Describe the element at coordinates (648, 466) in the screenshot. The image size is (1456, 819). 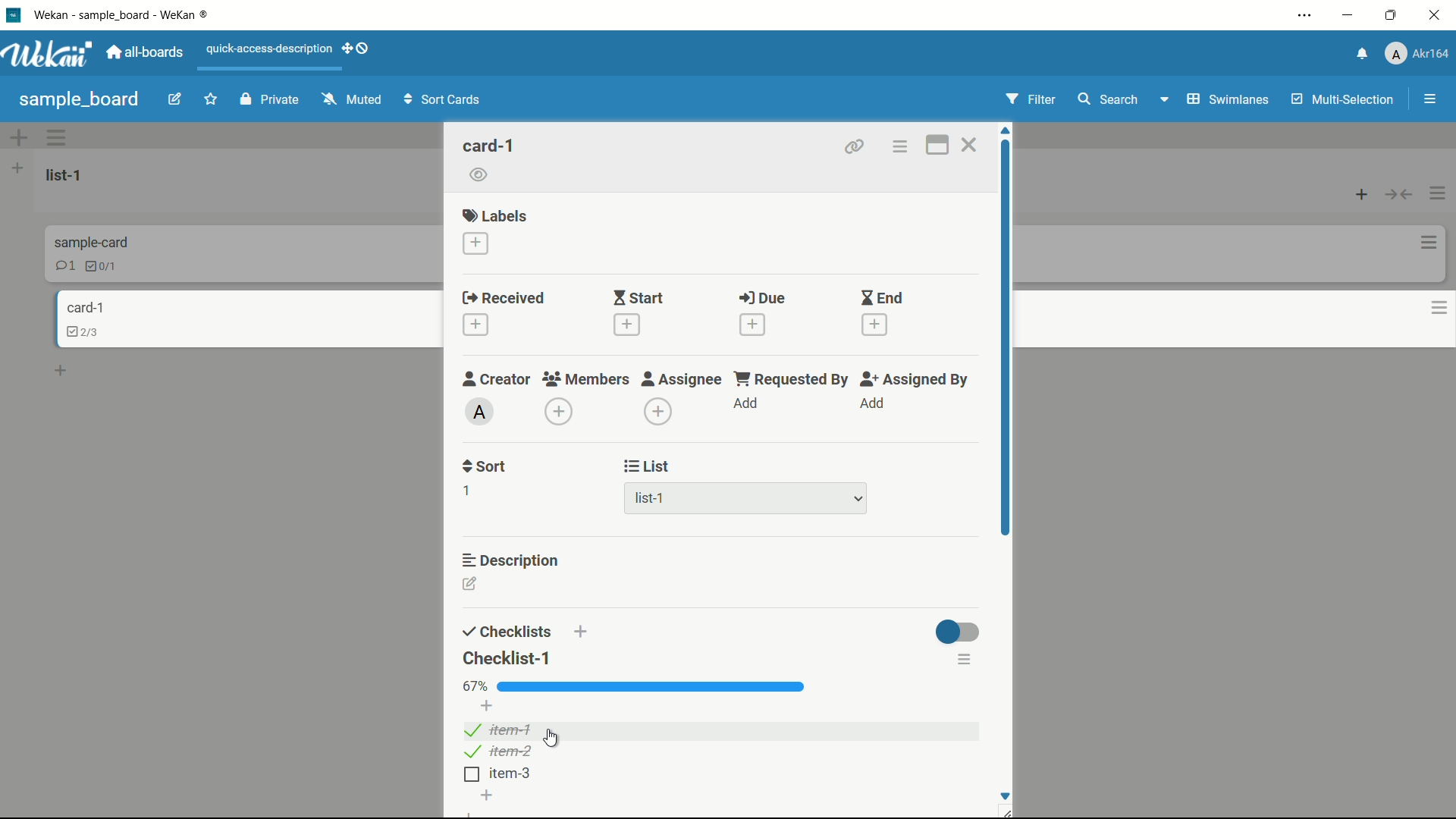
I see `list` at that location.